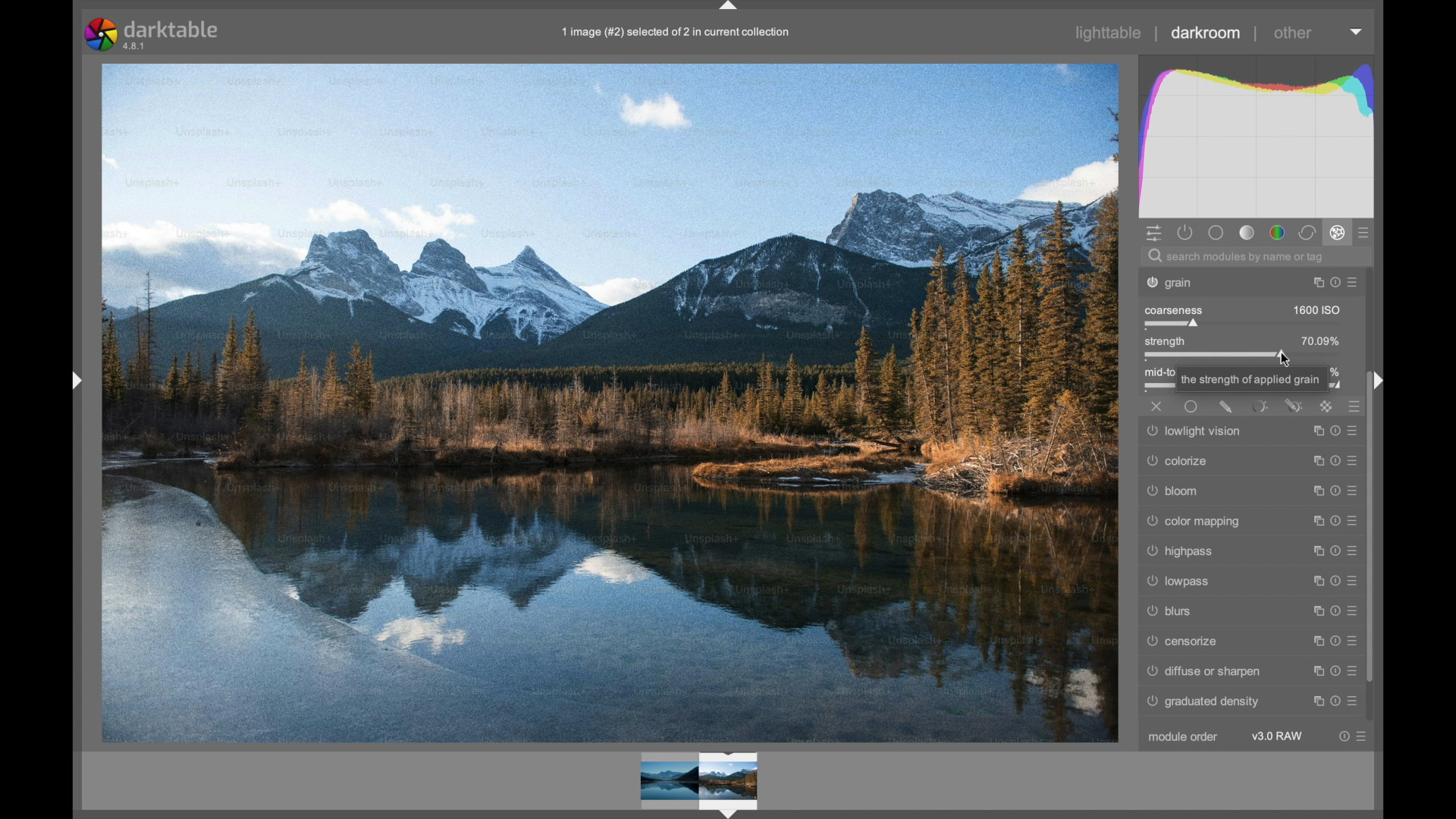 The height and width of the screenshot is (819, 1456). I want to click on search modules by name or tag, so click(1236, 256).